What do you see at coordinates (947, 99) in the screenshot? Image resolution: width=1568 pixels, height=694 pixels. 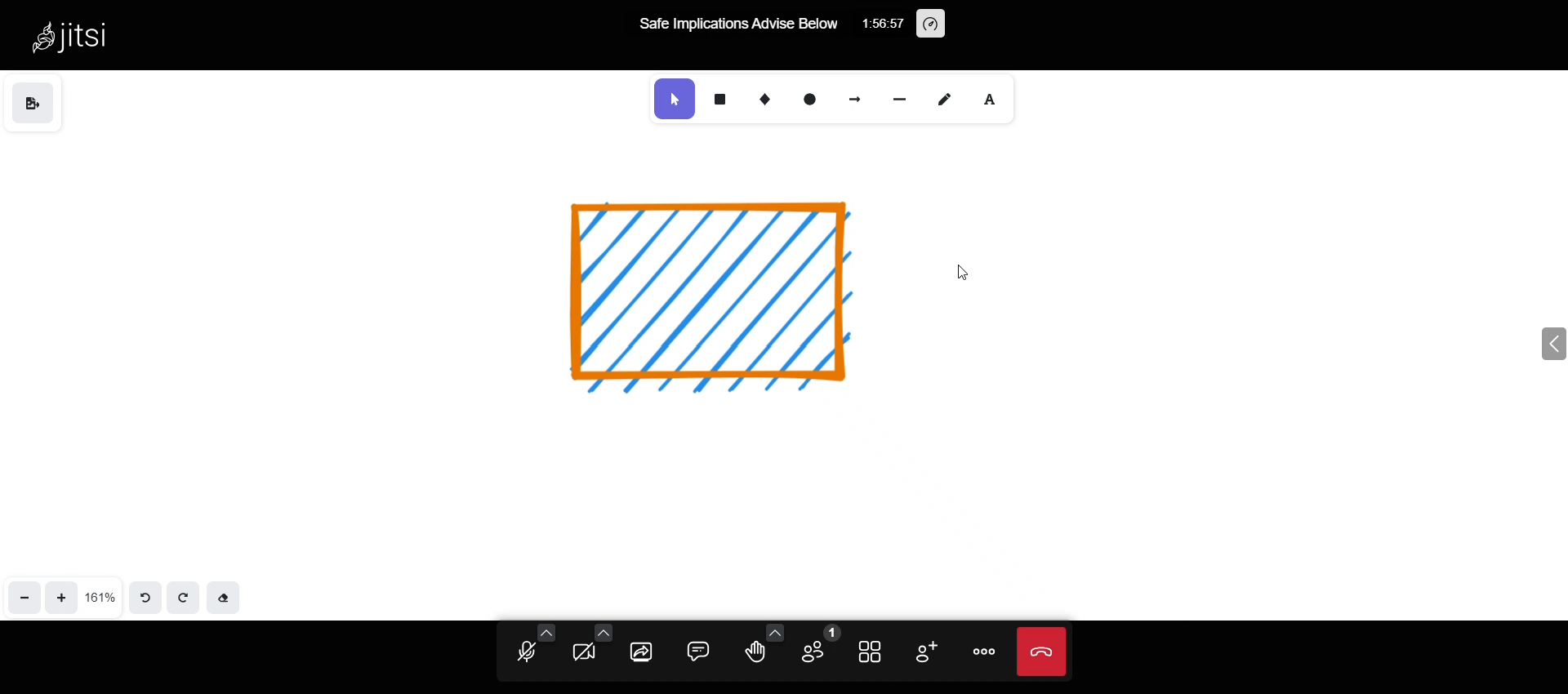 I see `draw` at bounding box center [947, 99].